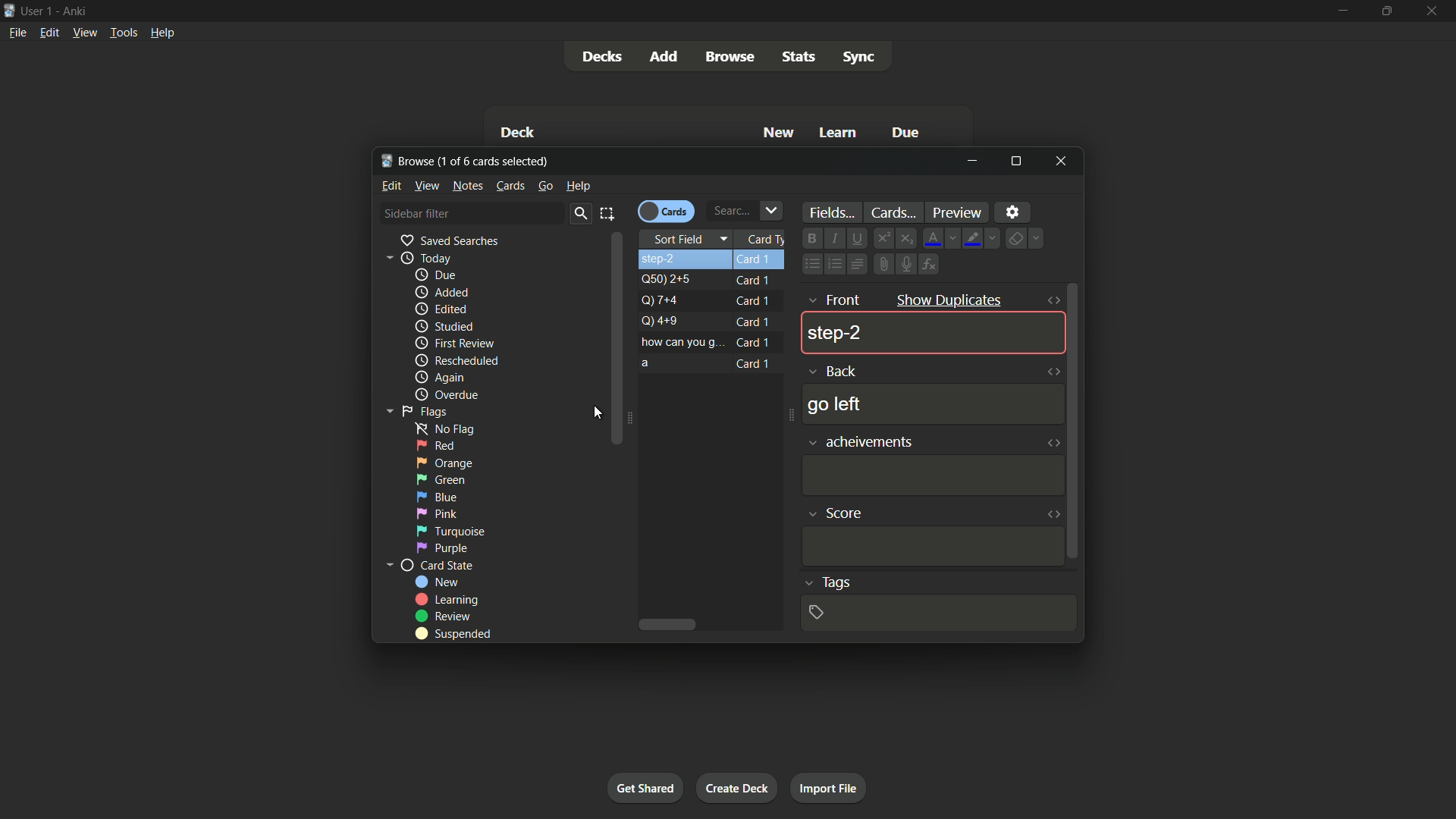 Image resolution: width=1456 pixels, height=819 pixels. I want to click on Rescheduled, so click(456, 361).